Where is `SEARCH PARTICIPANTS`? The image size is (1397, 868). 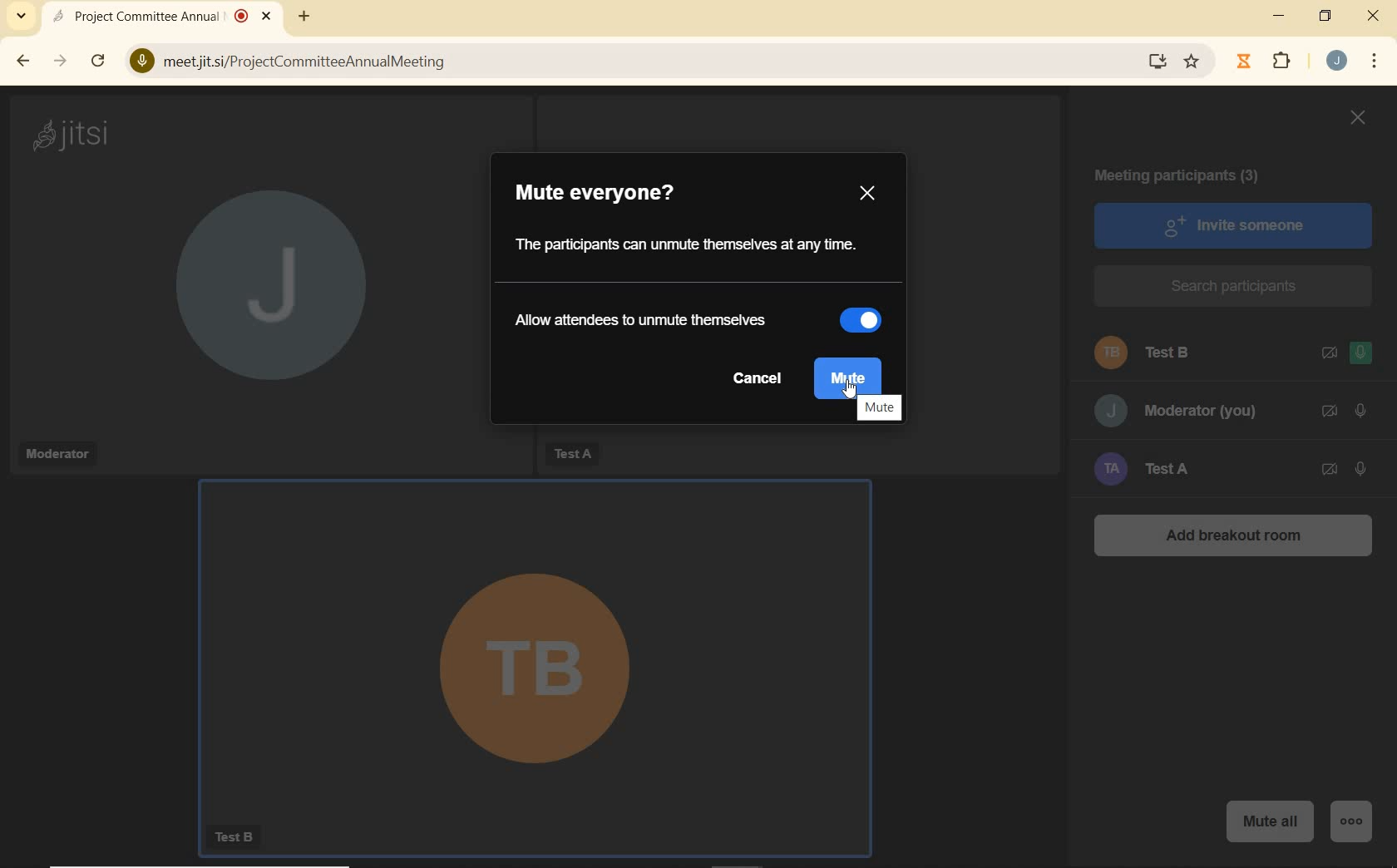 SEARCH PARTICIPANTS is located at coordinates (1234, 287).